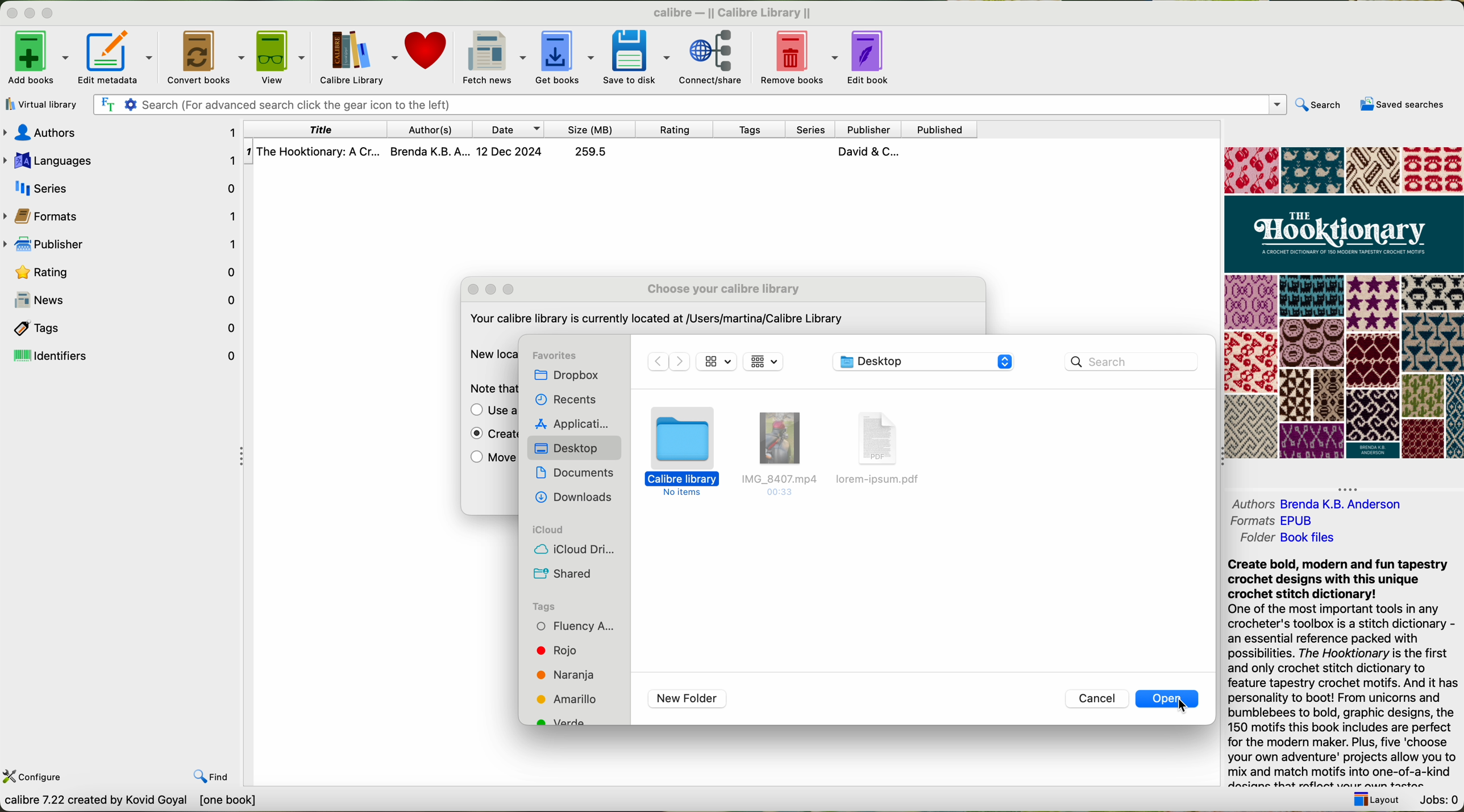 This screenshot has width=1464, height=812. Describe the element at coordinates (1183, 707) in the screenshot. I see `cursor` at that location.